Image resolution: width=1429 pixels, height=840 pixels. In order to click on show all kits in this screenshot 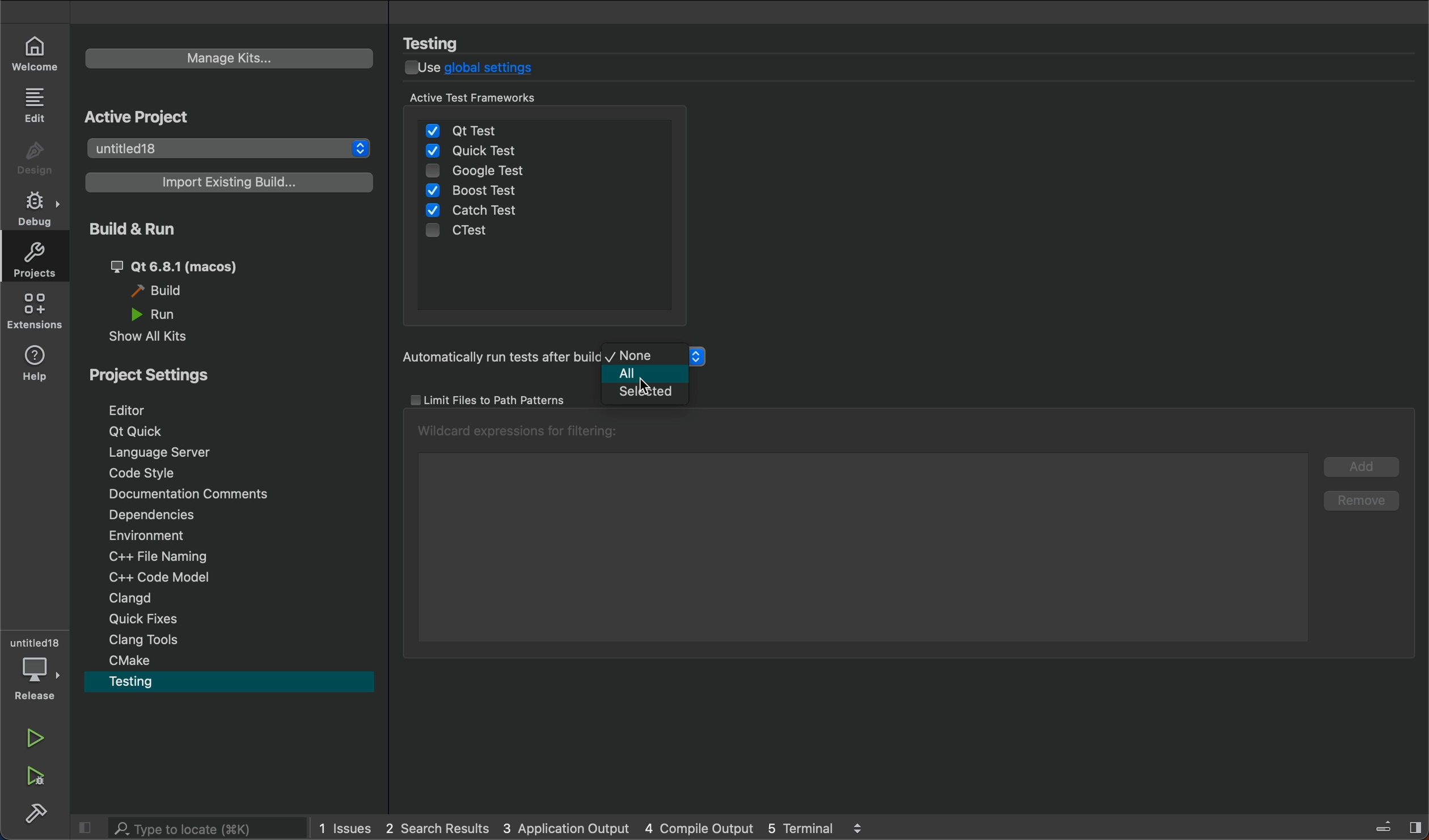, I will do `click(161, 338)`.